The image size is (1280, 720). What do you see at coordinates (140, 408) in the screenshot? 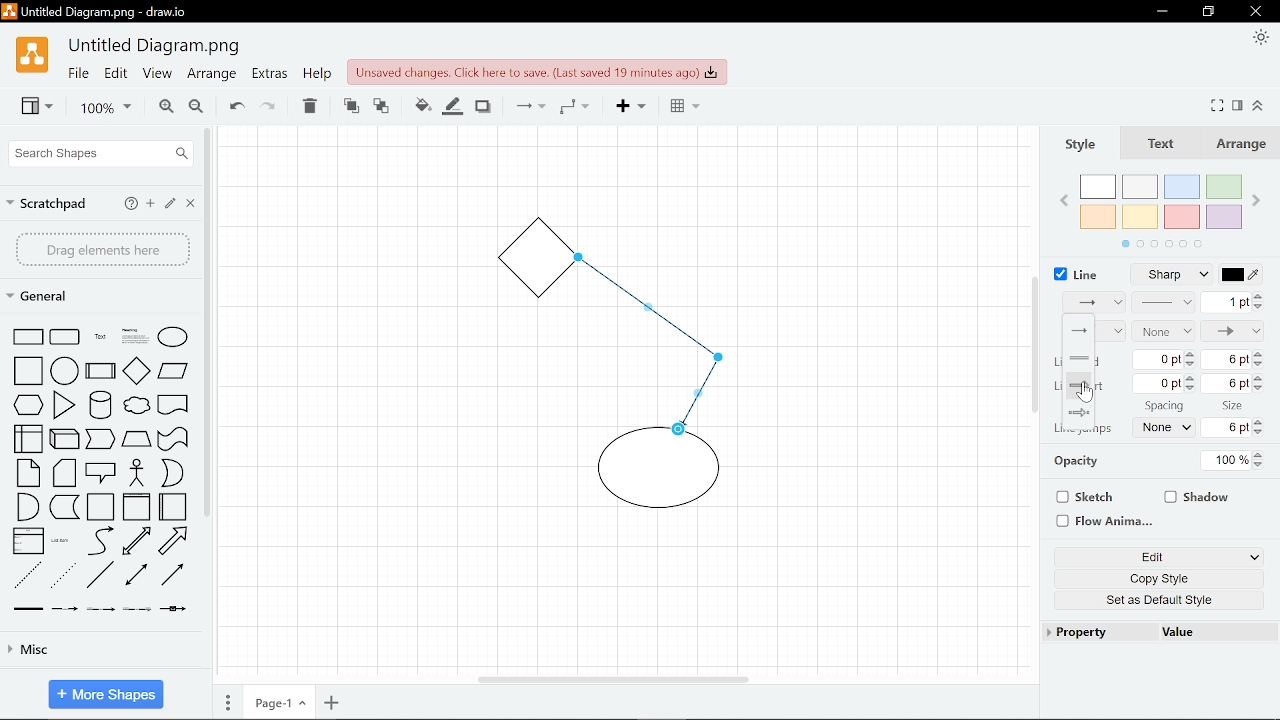
I see `shape` at bounding box center [140, 408].